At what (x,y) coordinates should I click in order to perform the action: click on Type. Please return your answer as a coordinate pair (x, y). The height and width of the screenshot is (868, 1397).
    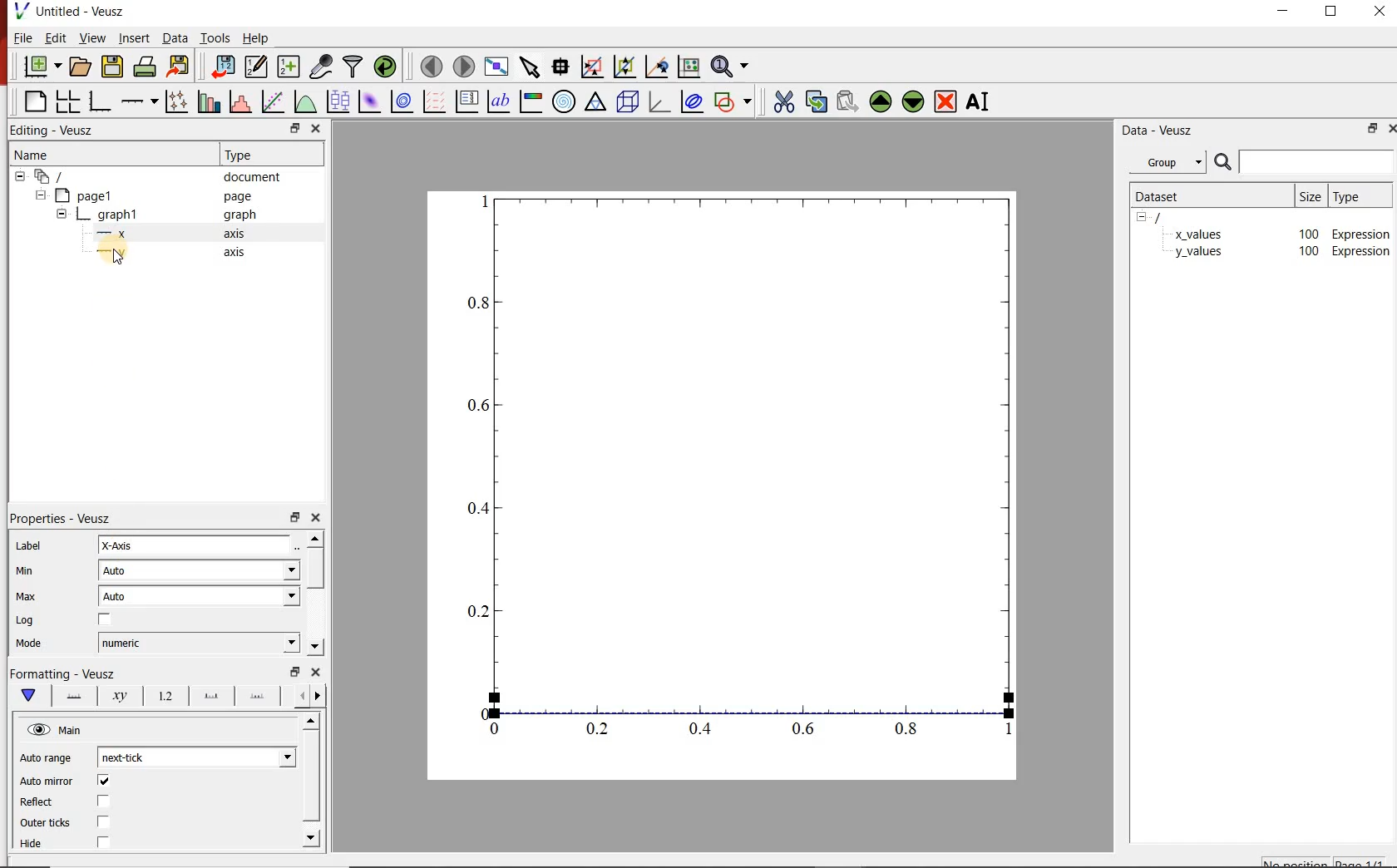
    Looking at the image, I should click on (250, 155).